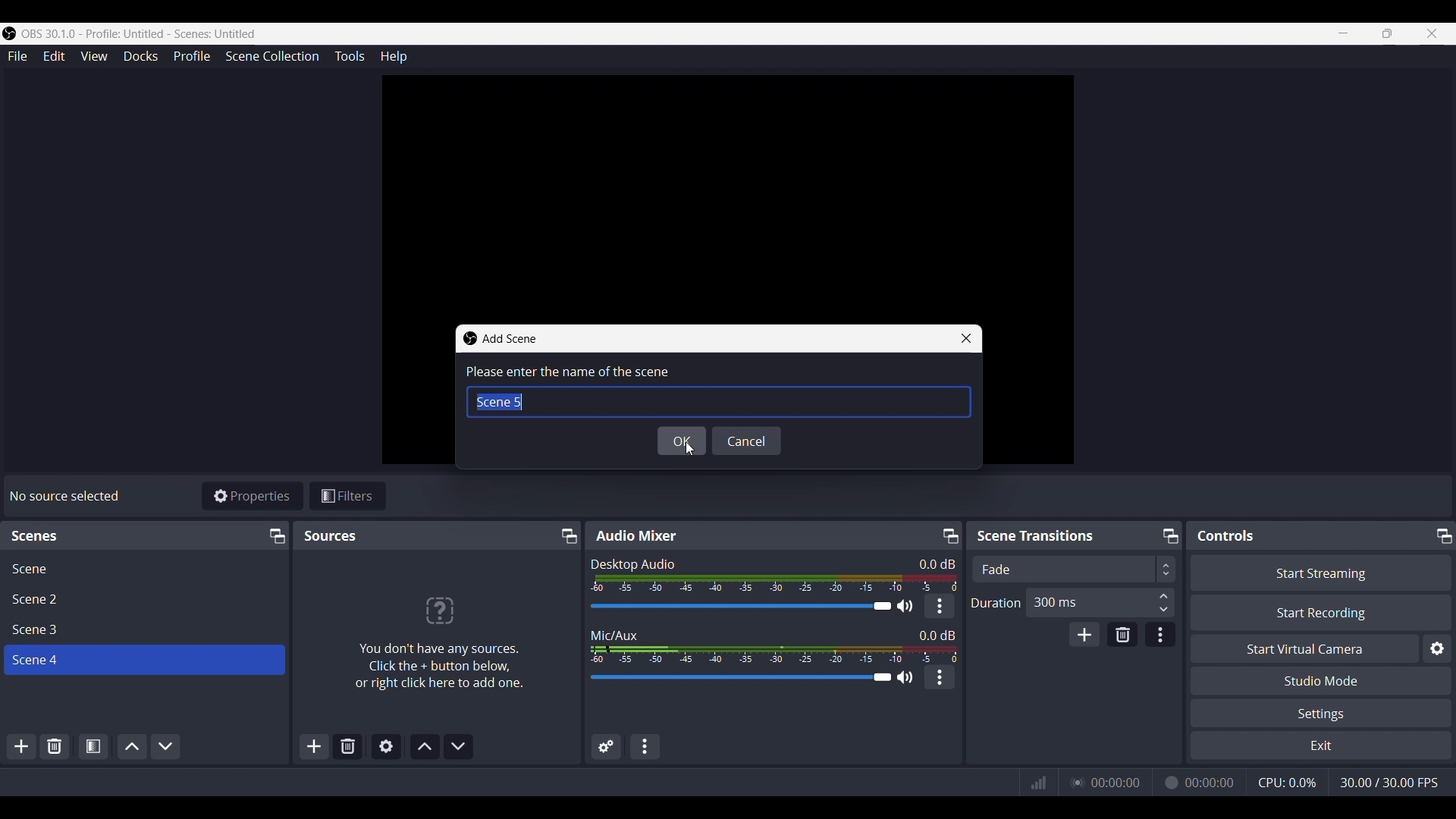 The height and width of the screenshot is (819, 1456). What do you see at coordinates (632, 563) in the screenshot?
I see `Desktop Audio ` at bounding box center [632, 563].